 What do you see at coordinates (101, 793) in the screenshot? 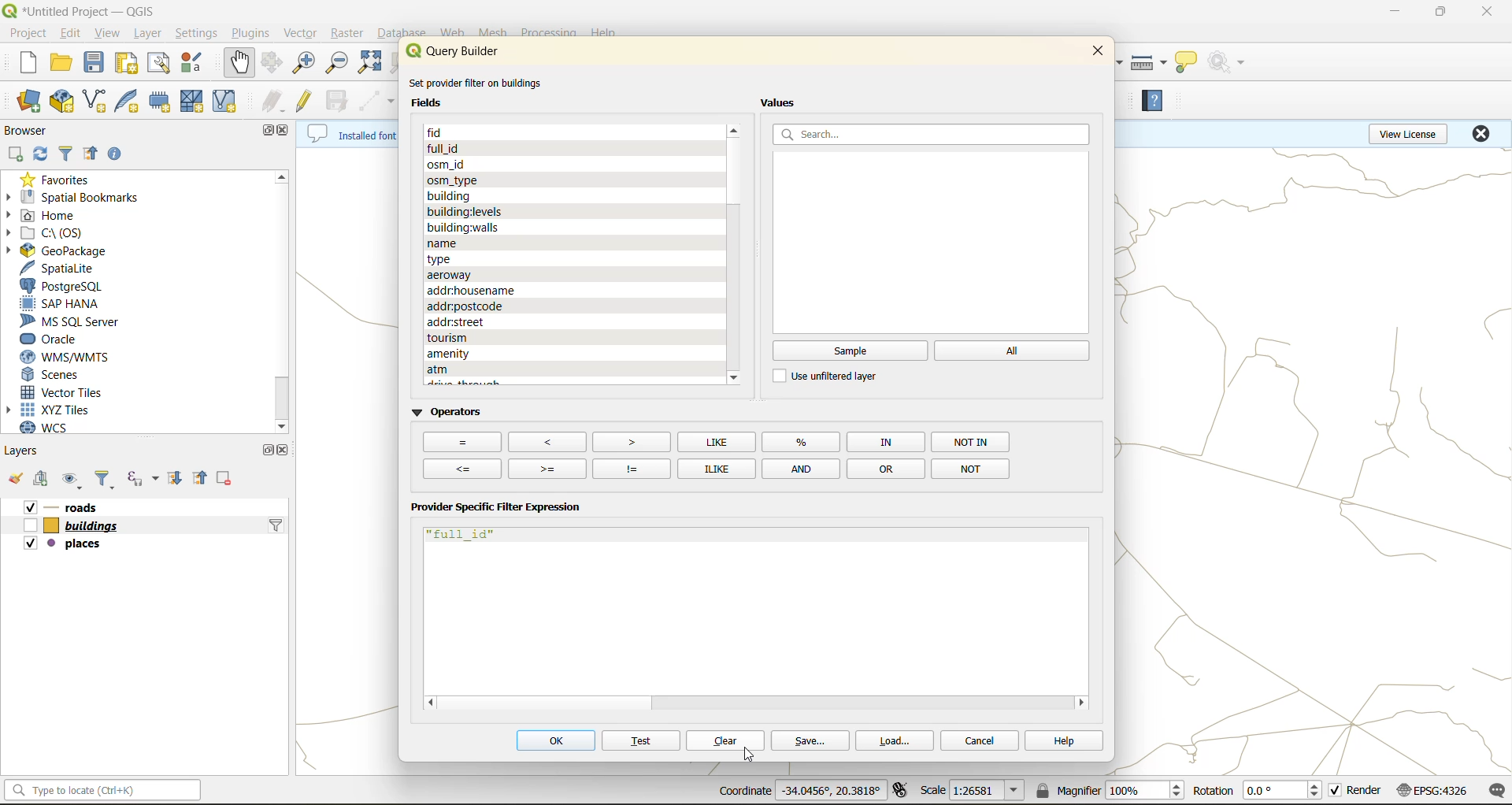
I see `status bar` at bounding box center [101, 793].